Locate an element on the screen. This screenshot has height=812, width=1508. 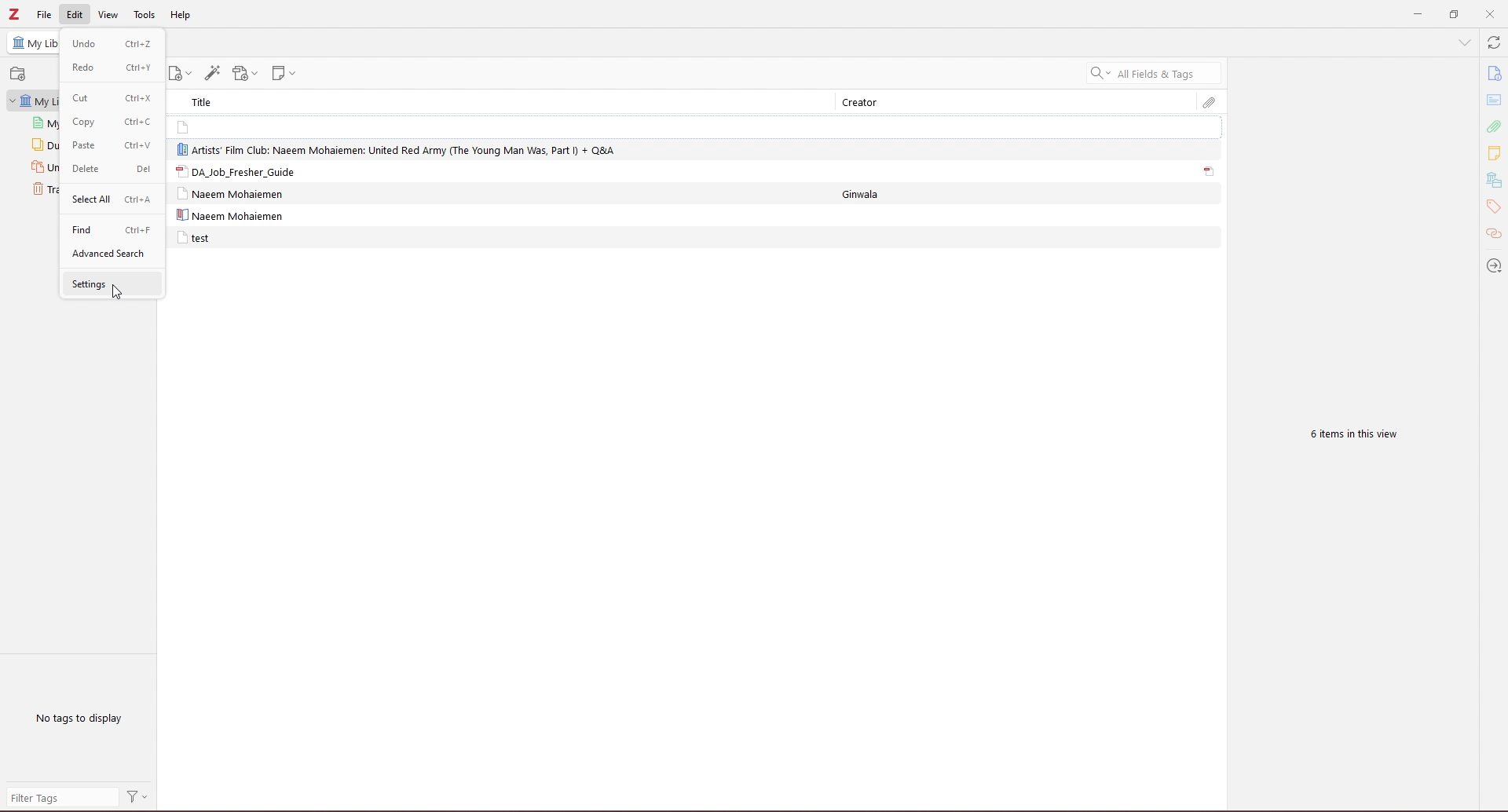
related is located at coordinates (1494, 235).